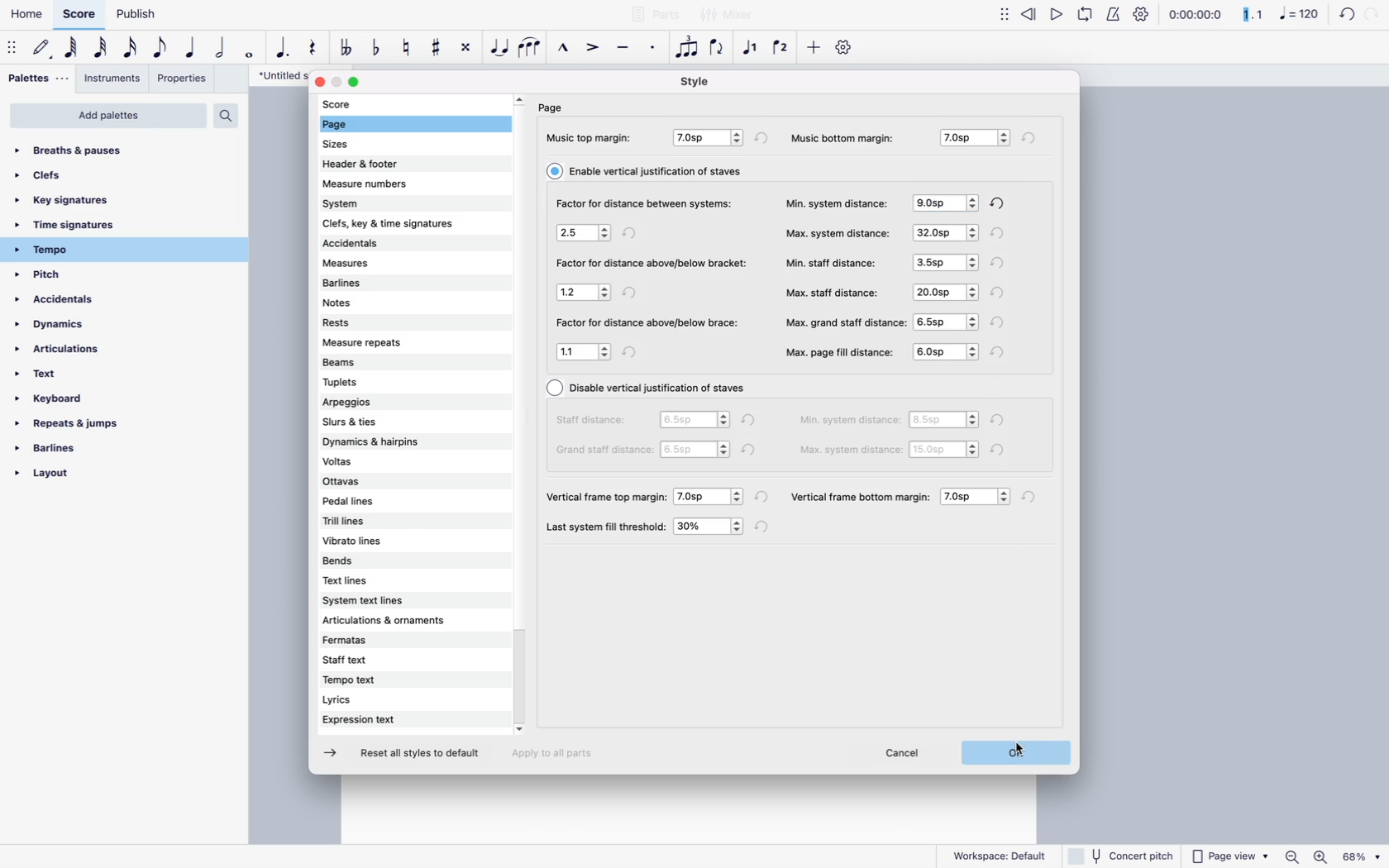 The height and width of the screenshot is (868, 1389). I want to click on options, so click(584, 293).